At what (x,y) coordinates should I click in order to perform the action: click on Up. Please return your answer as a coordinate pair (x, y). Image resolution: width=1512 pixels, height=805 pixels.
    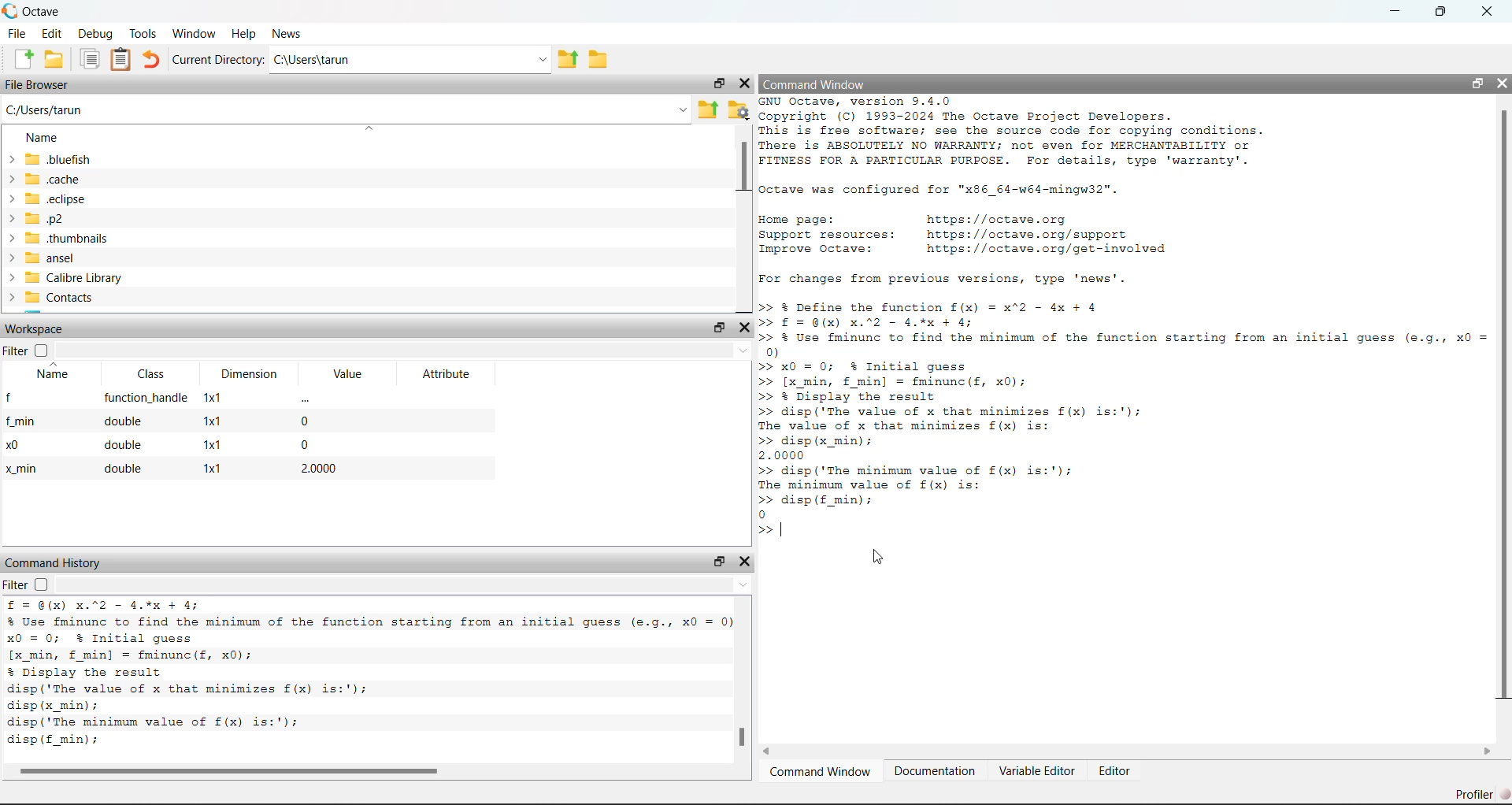
    Looking at the image, I should click on (745, 587).